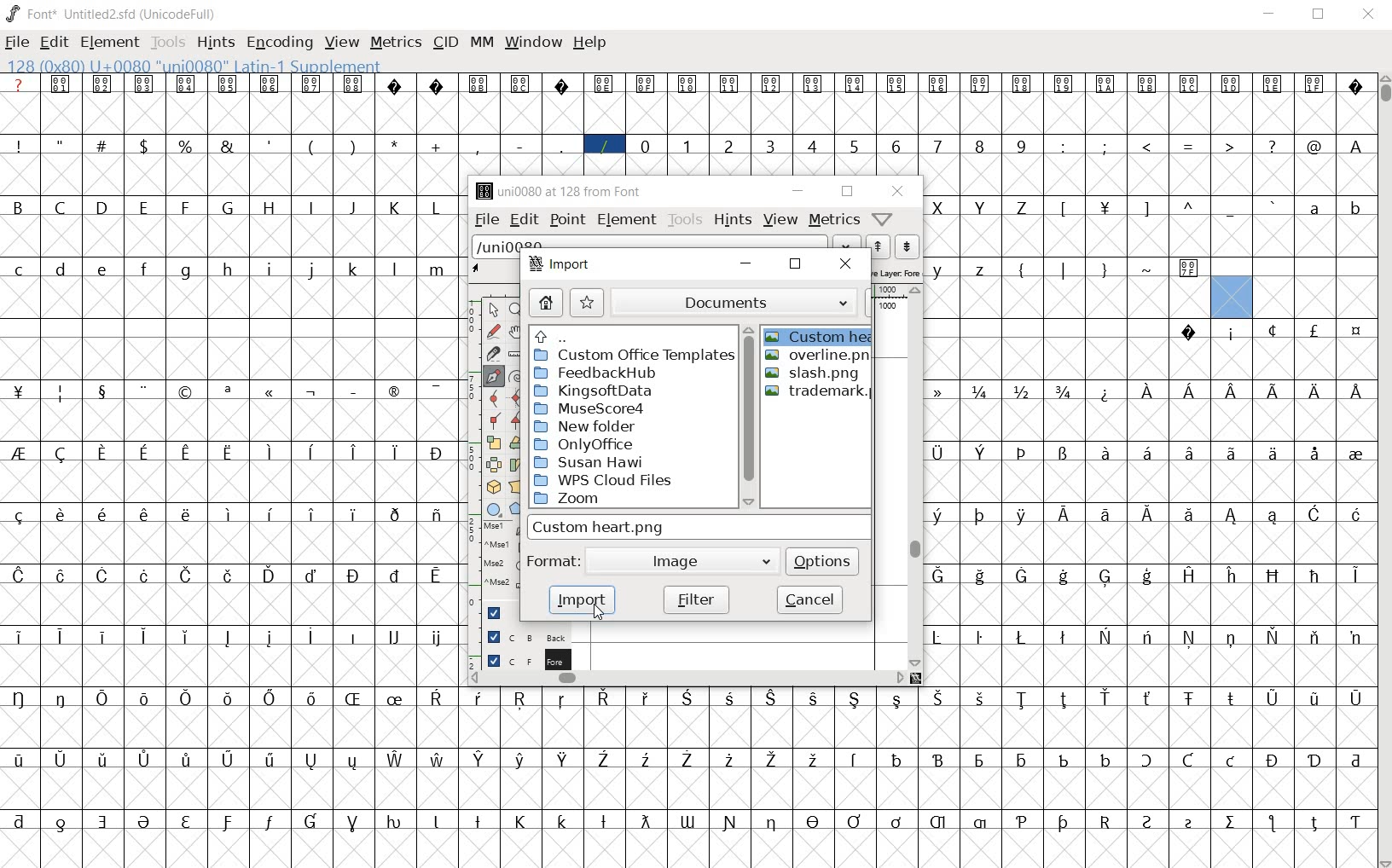  Describe the element at coordinates (478, 84) in the screenshot. I see `glyph` at that location.